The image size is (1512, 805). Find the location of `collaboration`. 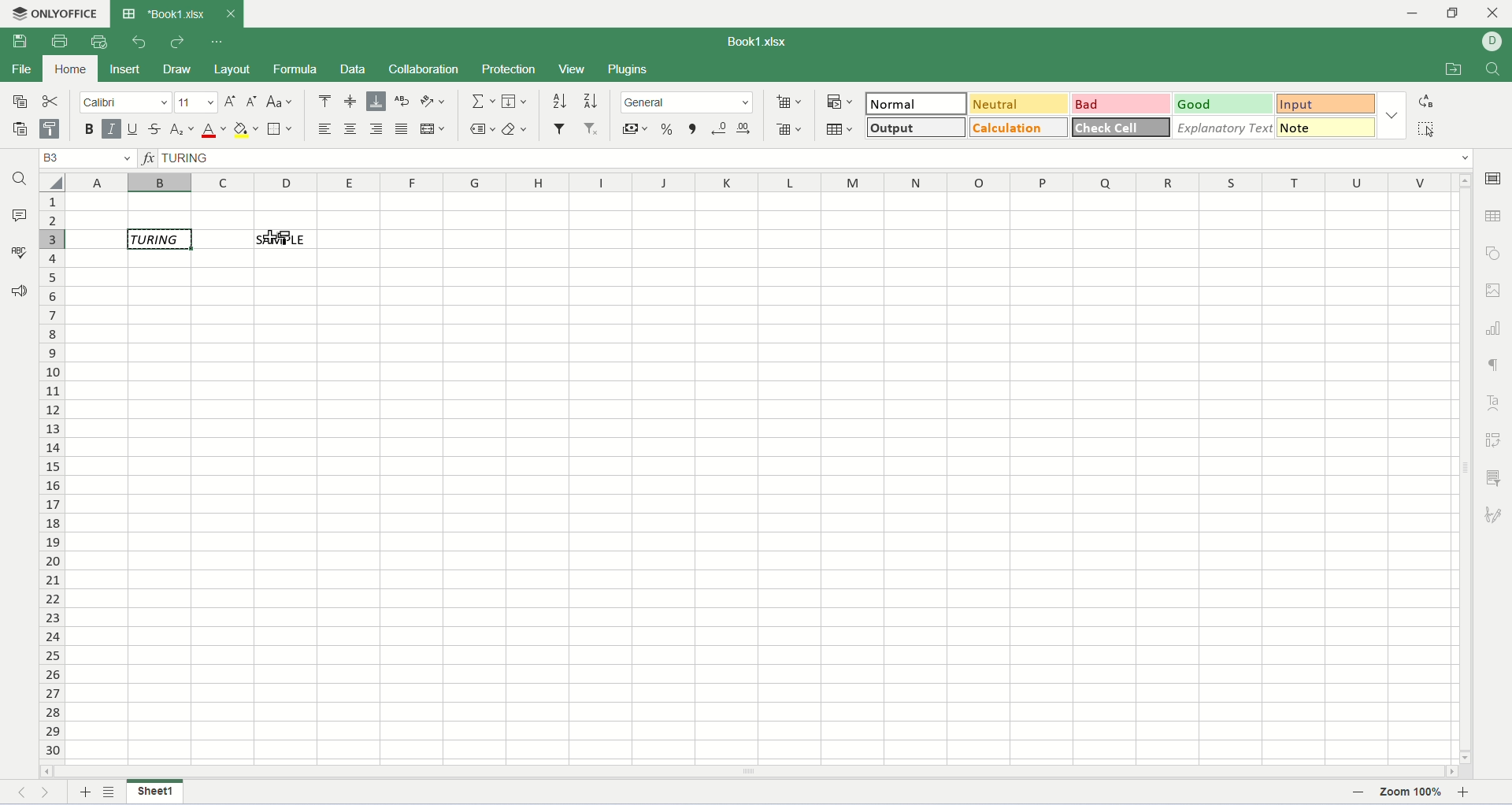

collaboration is located at coordinates (428, 71).